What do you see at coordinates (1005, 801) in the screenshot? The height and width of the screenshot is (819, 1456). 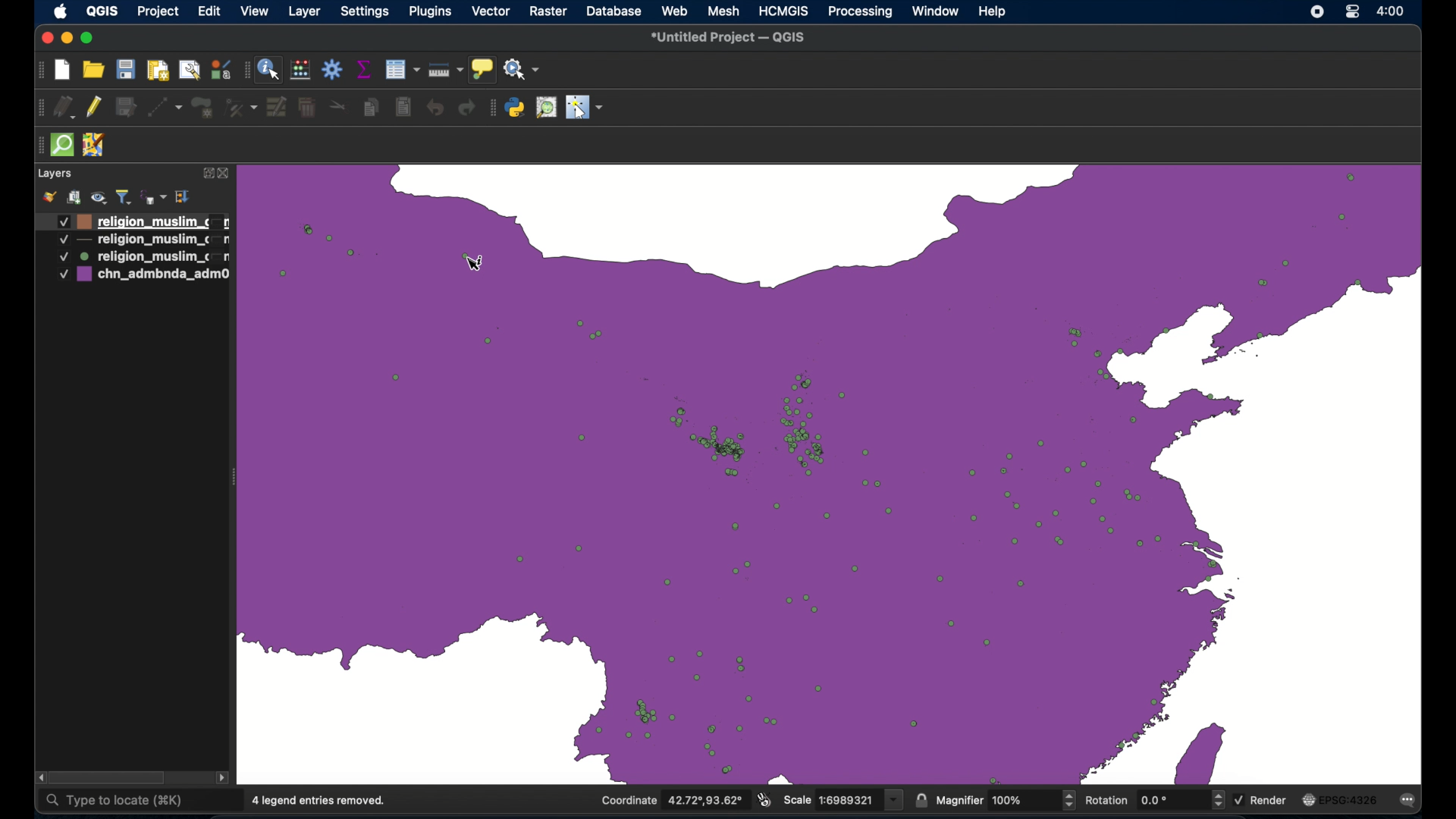 I see `magnifier` at bounding box center [1005, 801].